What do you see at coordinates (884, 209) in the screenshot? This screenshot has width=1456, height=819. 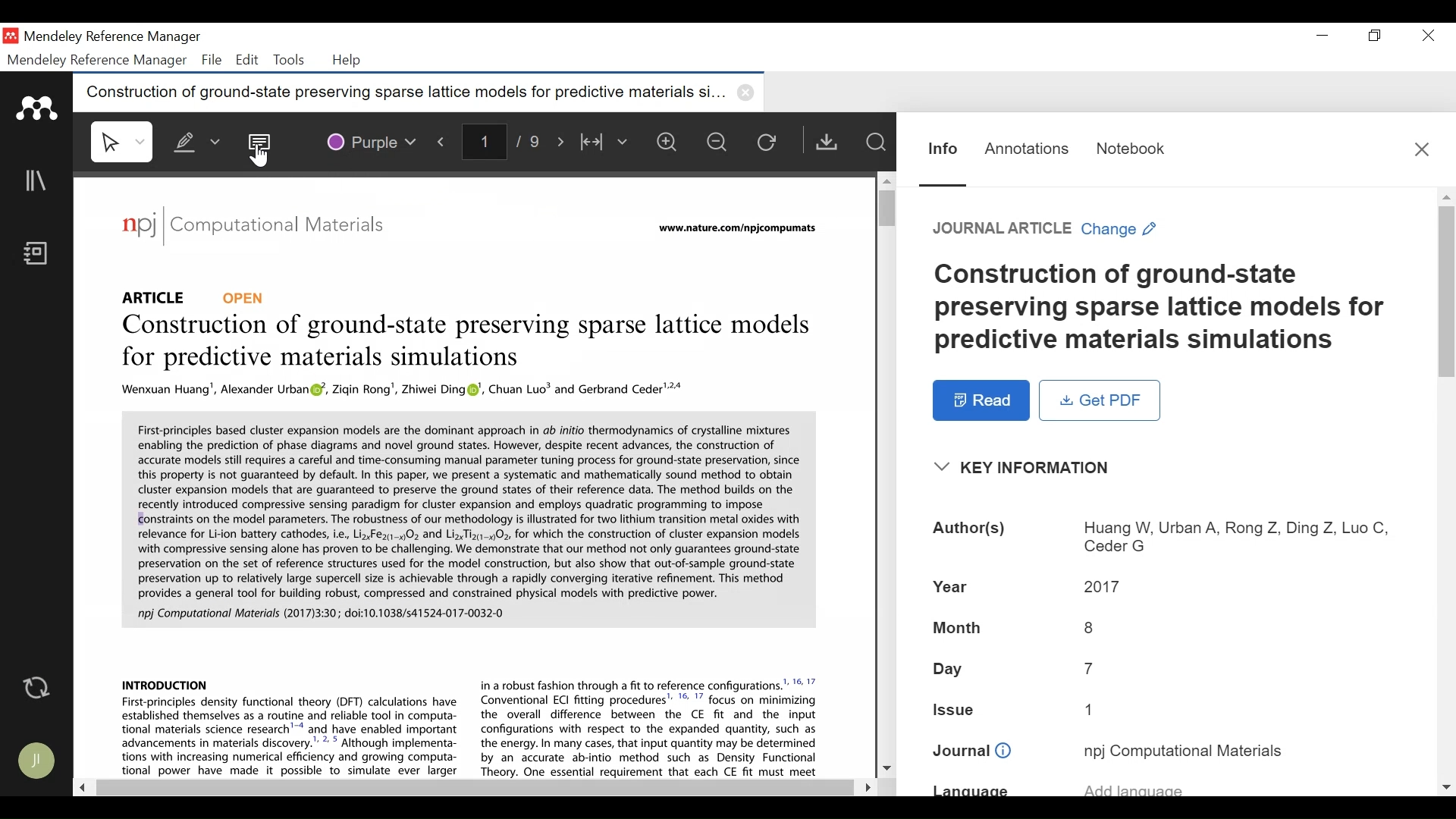 I see `Vertical Scroll bar` at bounding box center [884, 209].